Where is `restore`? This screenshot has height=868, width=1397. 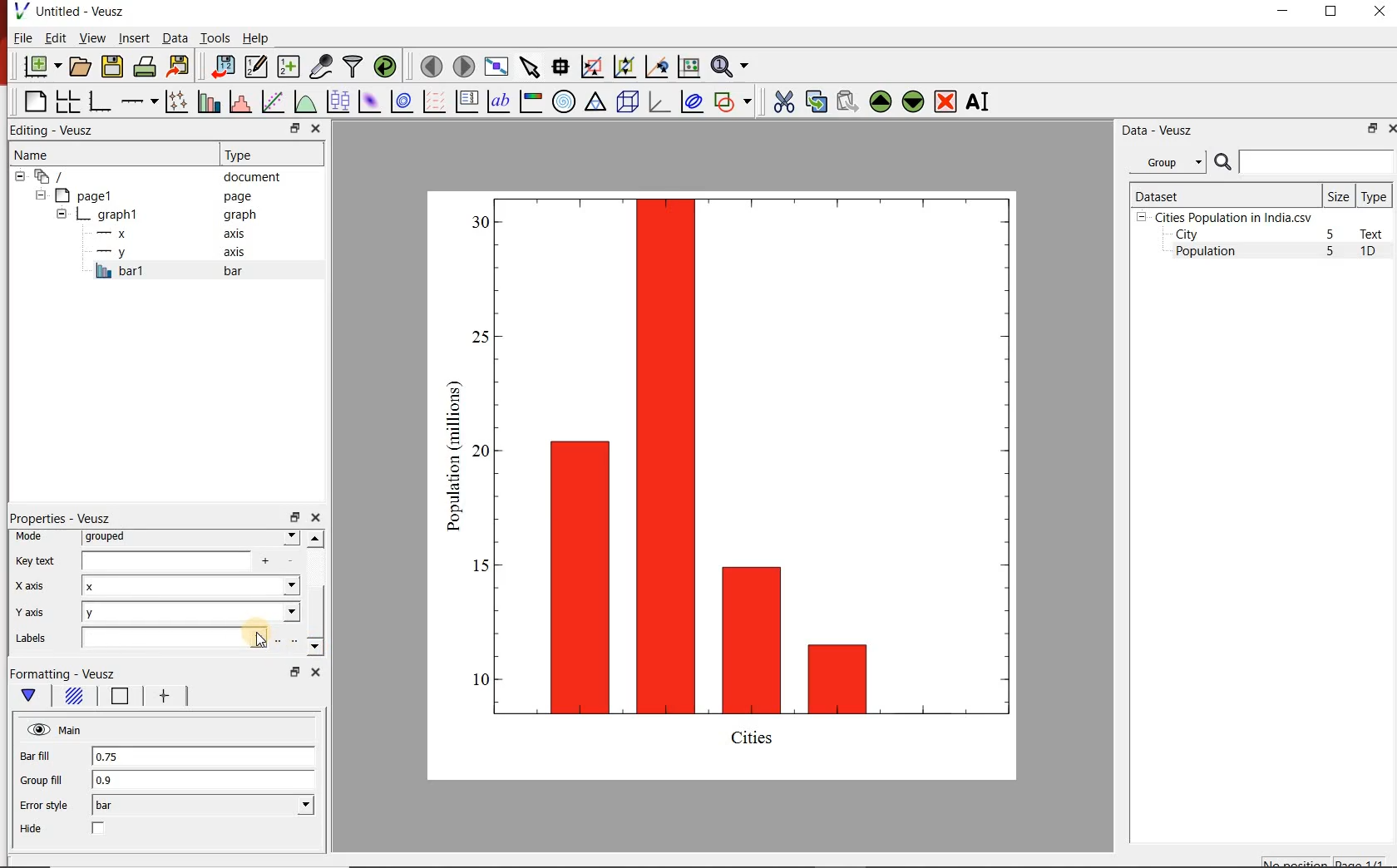
restore is located at coordinates (1373, 128).